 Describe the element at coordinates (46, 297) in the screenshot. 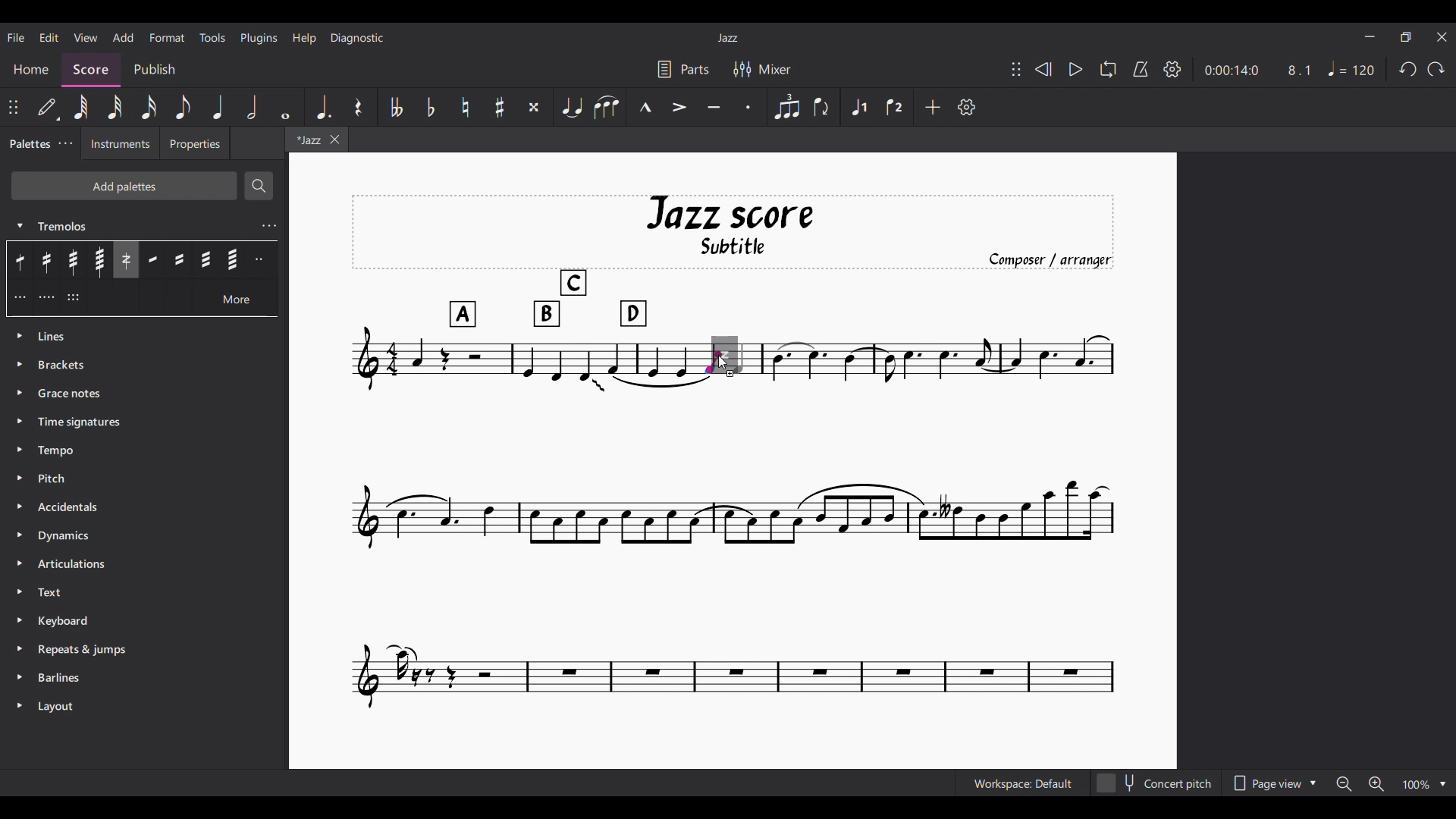

I see `Divide measured Tremolo by 4` at that location.